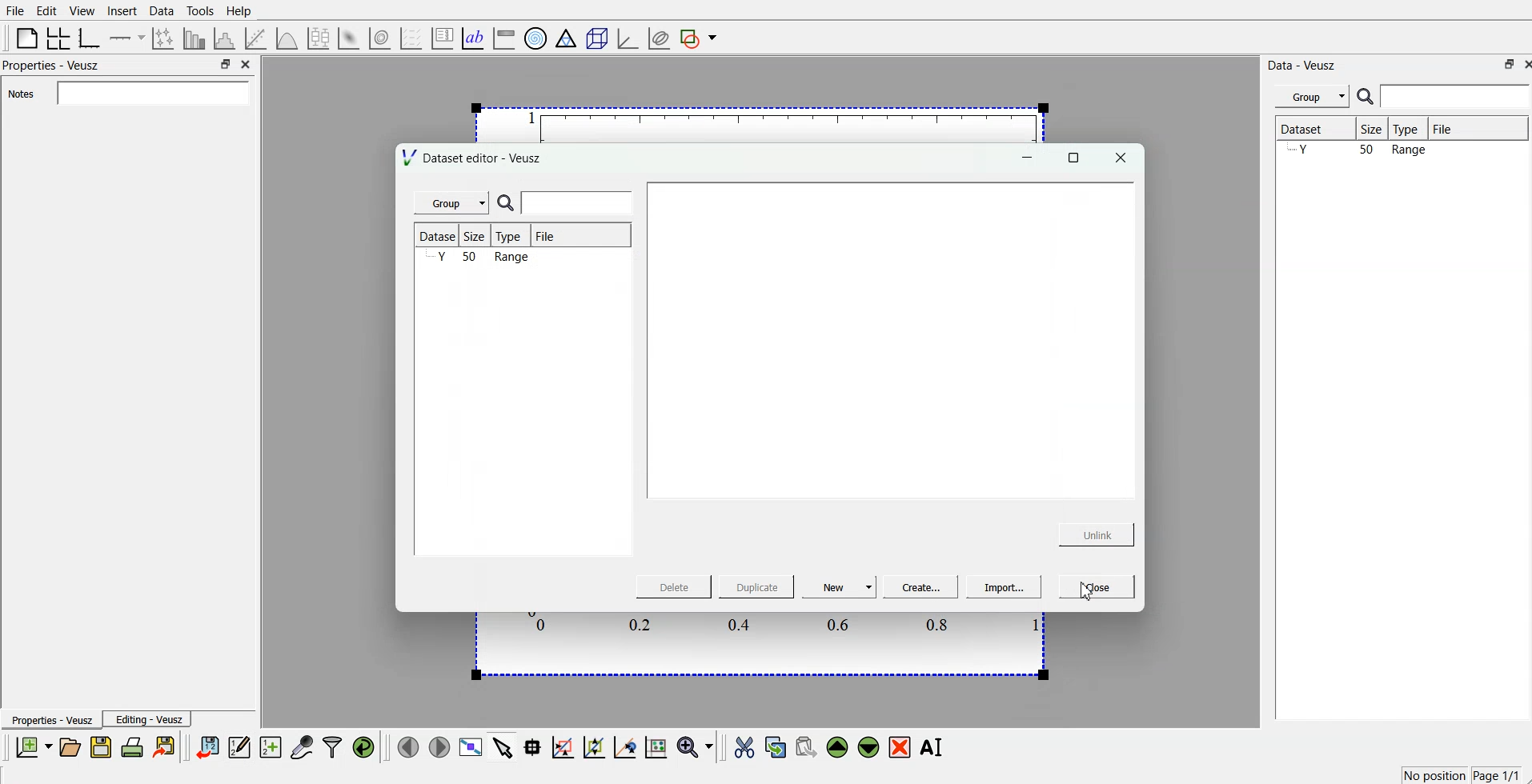 The width and height of the screenshot is (1532, 784). Describe the element at coordinates (53, 720) in the screenshot. I see `Properties - Veusz` at that location.